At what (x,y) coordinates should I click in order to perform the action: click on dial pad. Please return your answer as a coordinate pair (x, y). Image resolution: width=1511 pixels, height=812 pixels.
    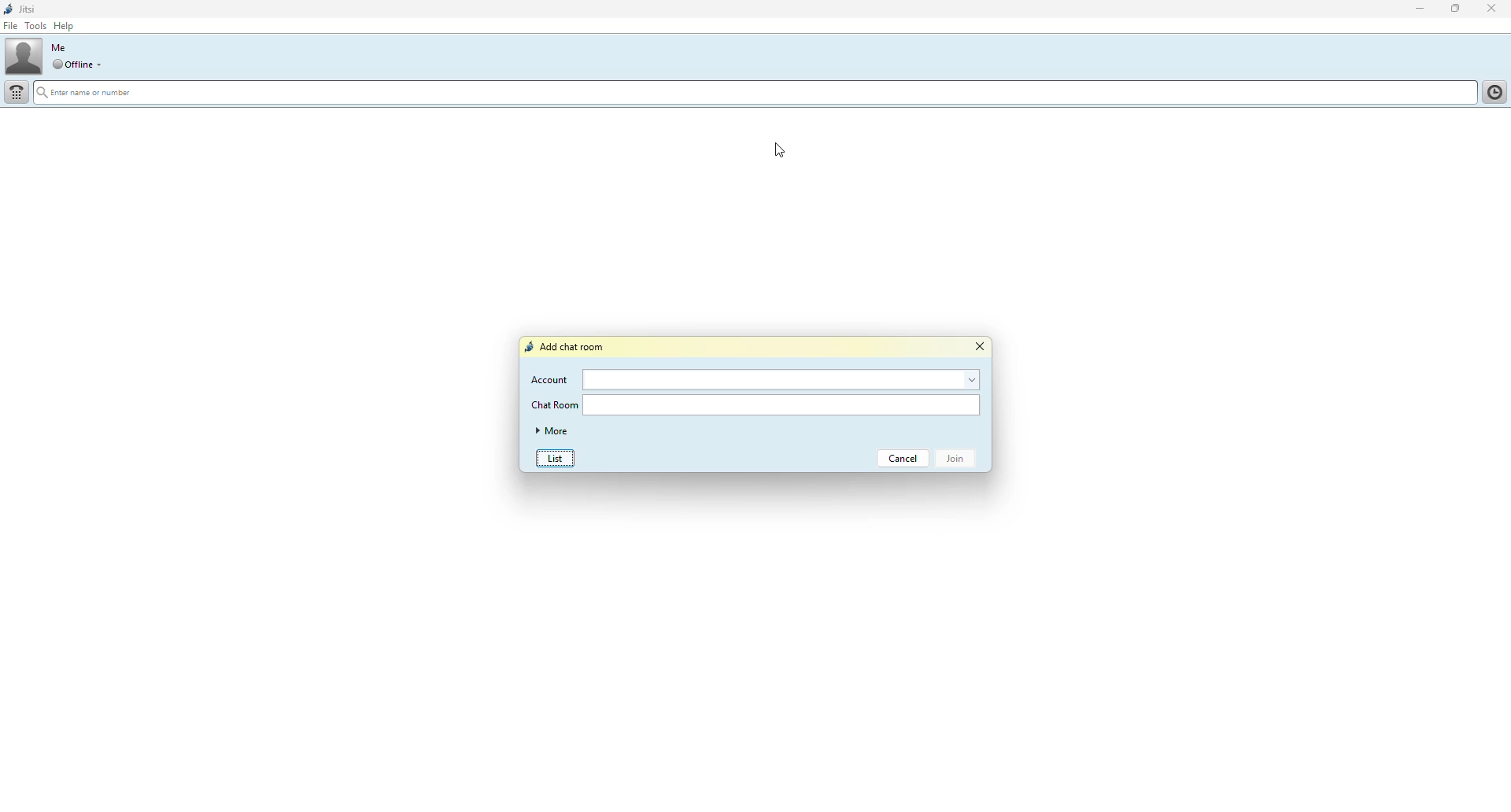
    Looking at the image, I should click on (17, 92).